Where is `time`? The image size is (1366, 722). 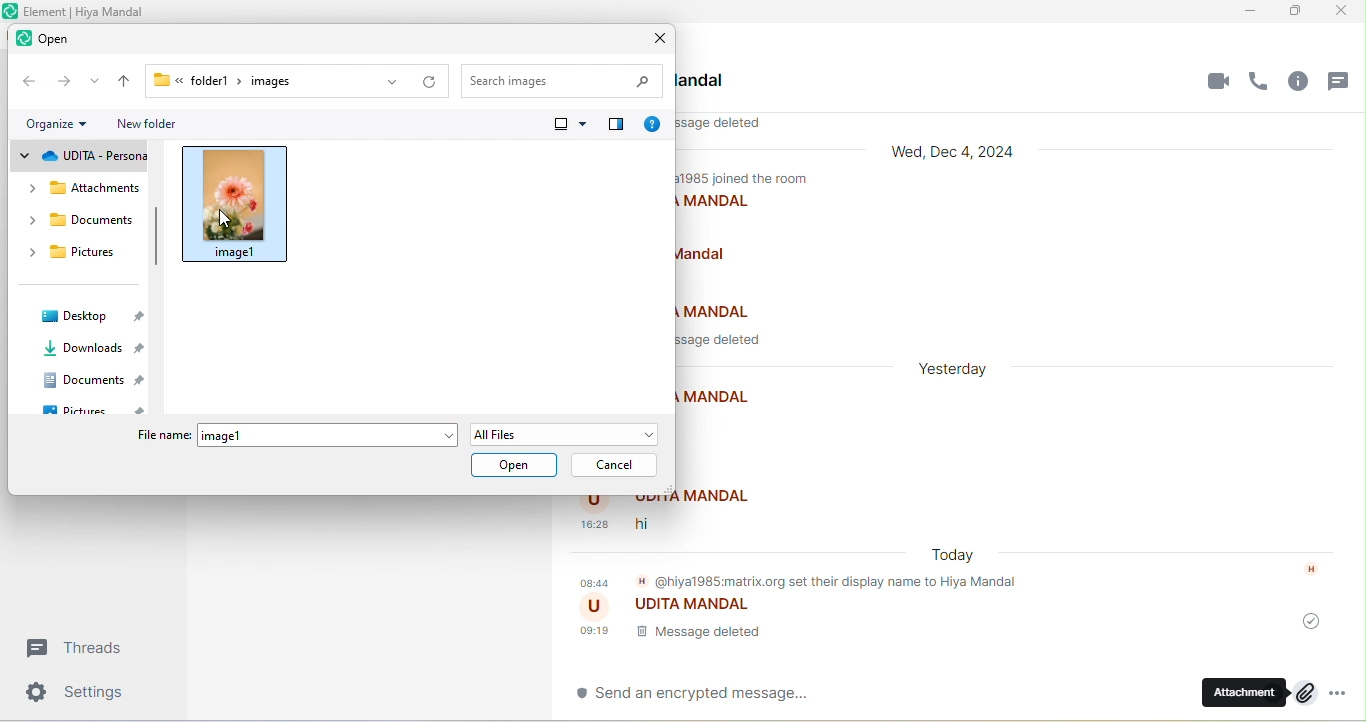 time is located at coordinates (595, 524).